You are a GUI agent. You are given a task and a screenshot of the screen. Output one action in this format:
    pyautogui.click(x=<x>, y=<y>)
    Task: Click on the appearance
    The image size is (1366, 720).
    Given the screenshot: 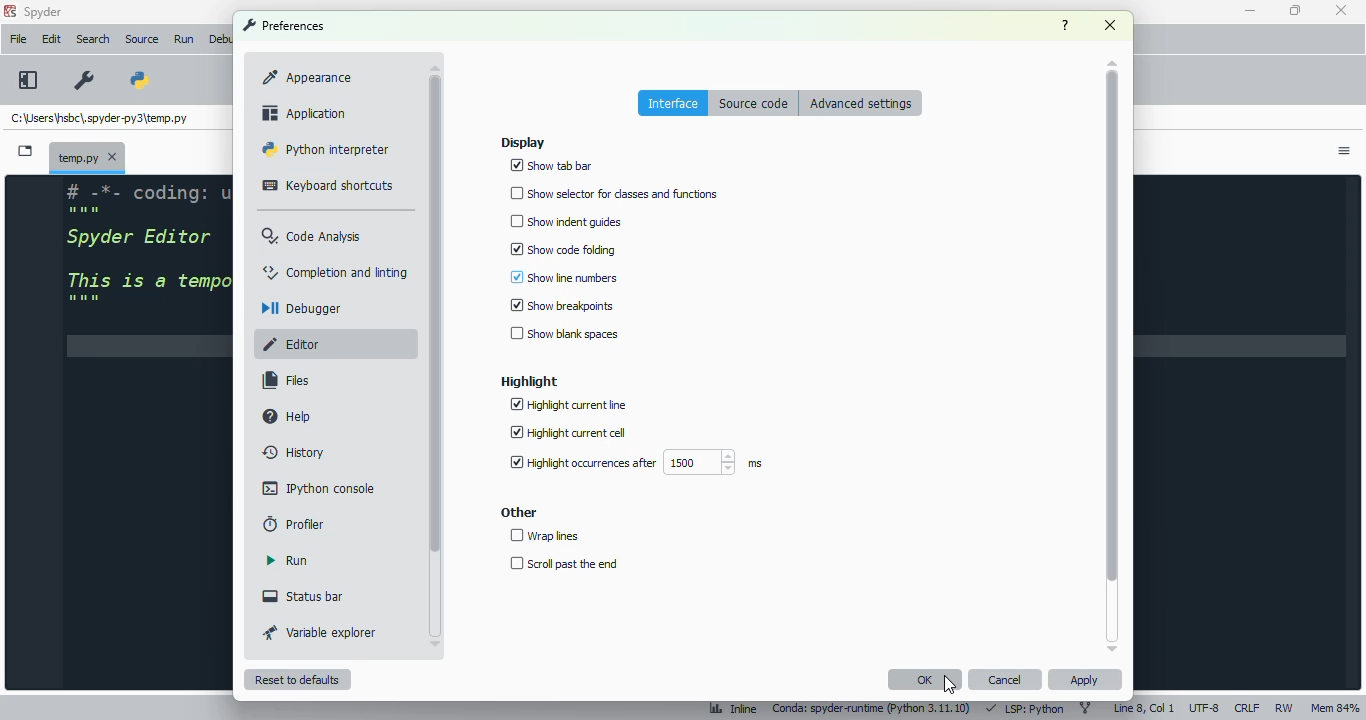 What is the action you would take?
    pyautogui.click(x=306, y=78)
    